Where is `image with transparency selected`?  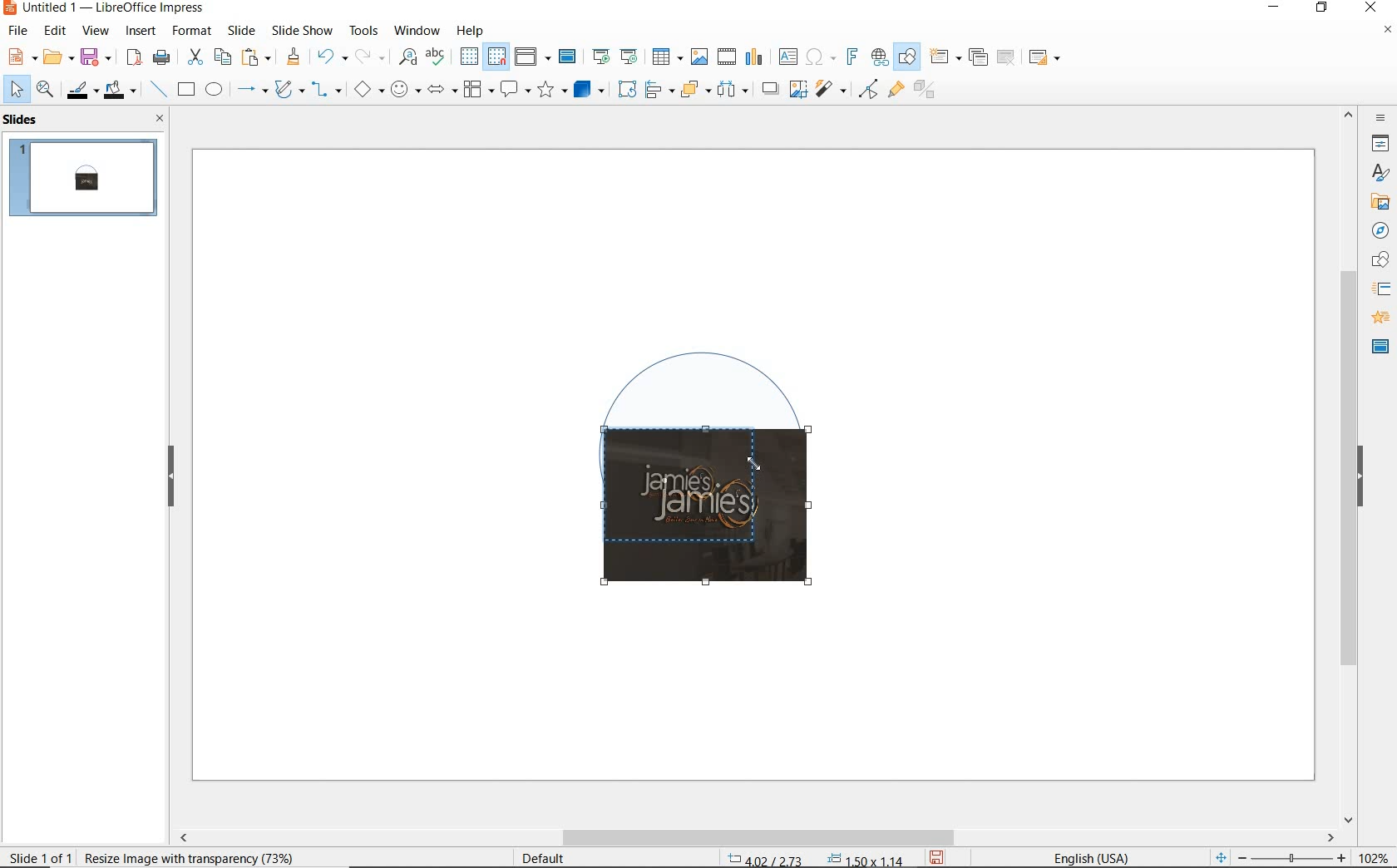 image with transparency selected is located at coordinates (193, 856).